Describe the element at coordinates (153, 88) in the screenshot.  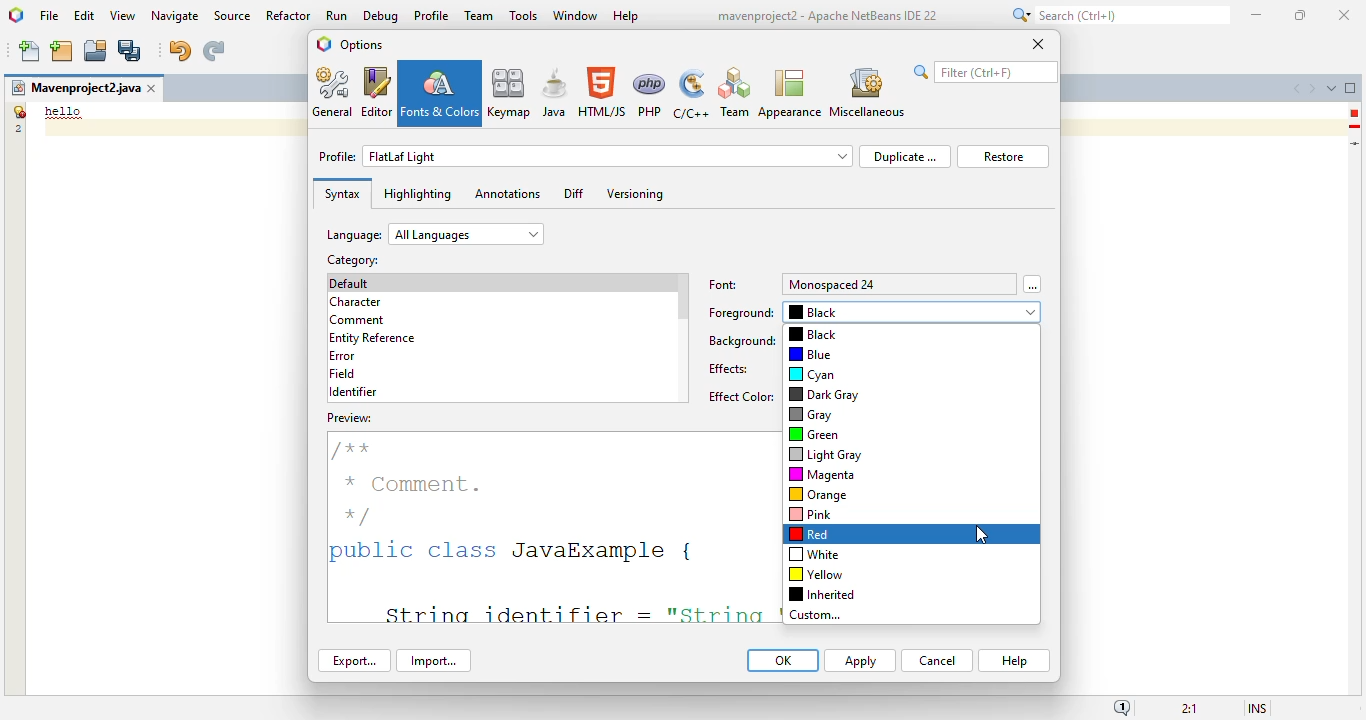
I see `close window` at that location.